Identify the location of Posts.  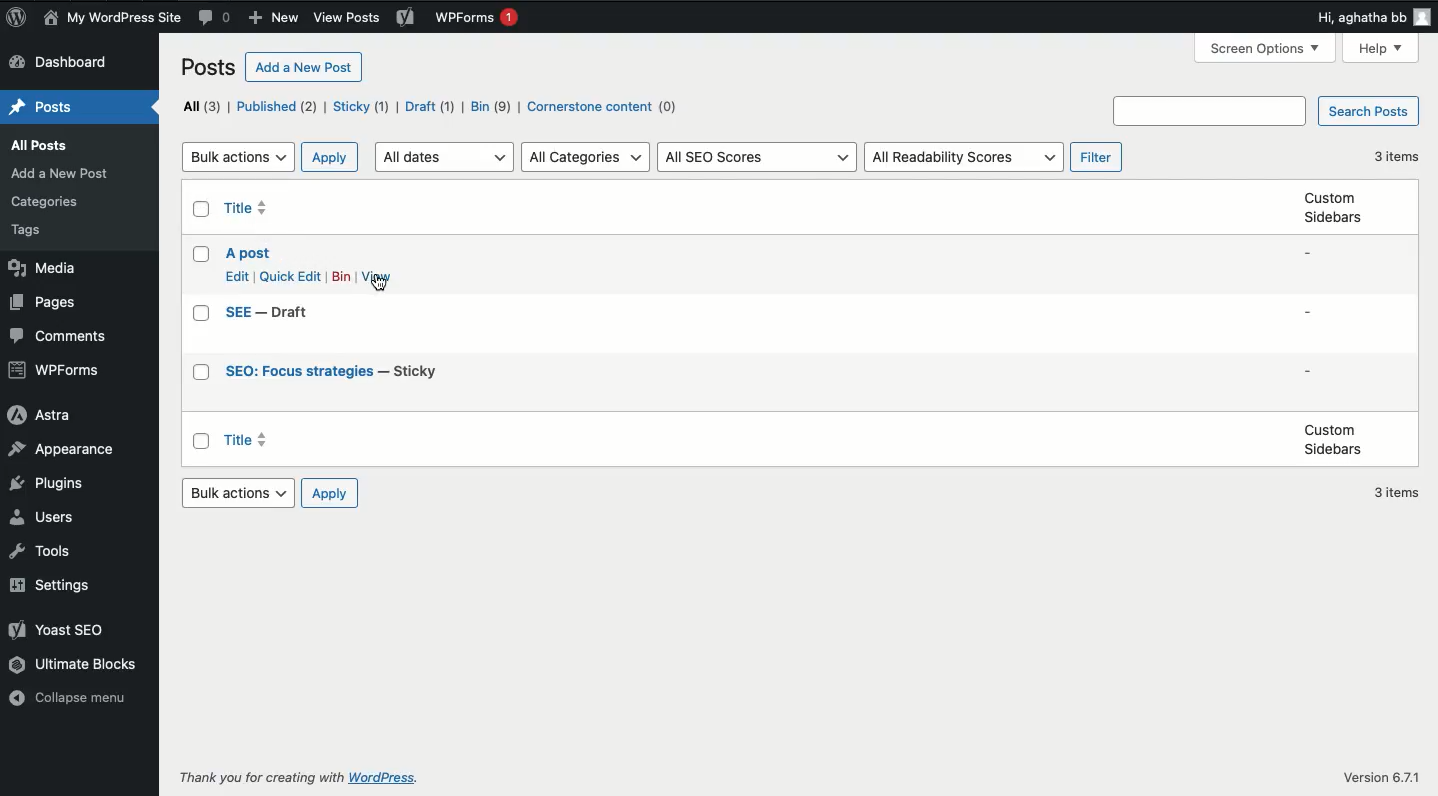
(210, 69).